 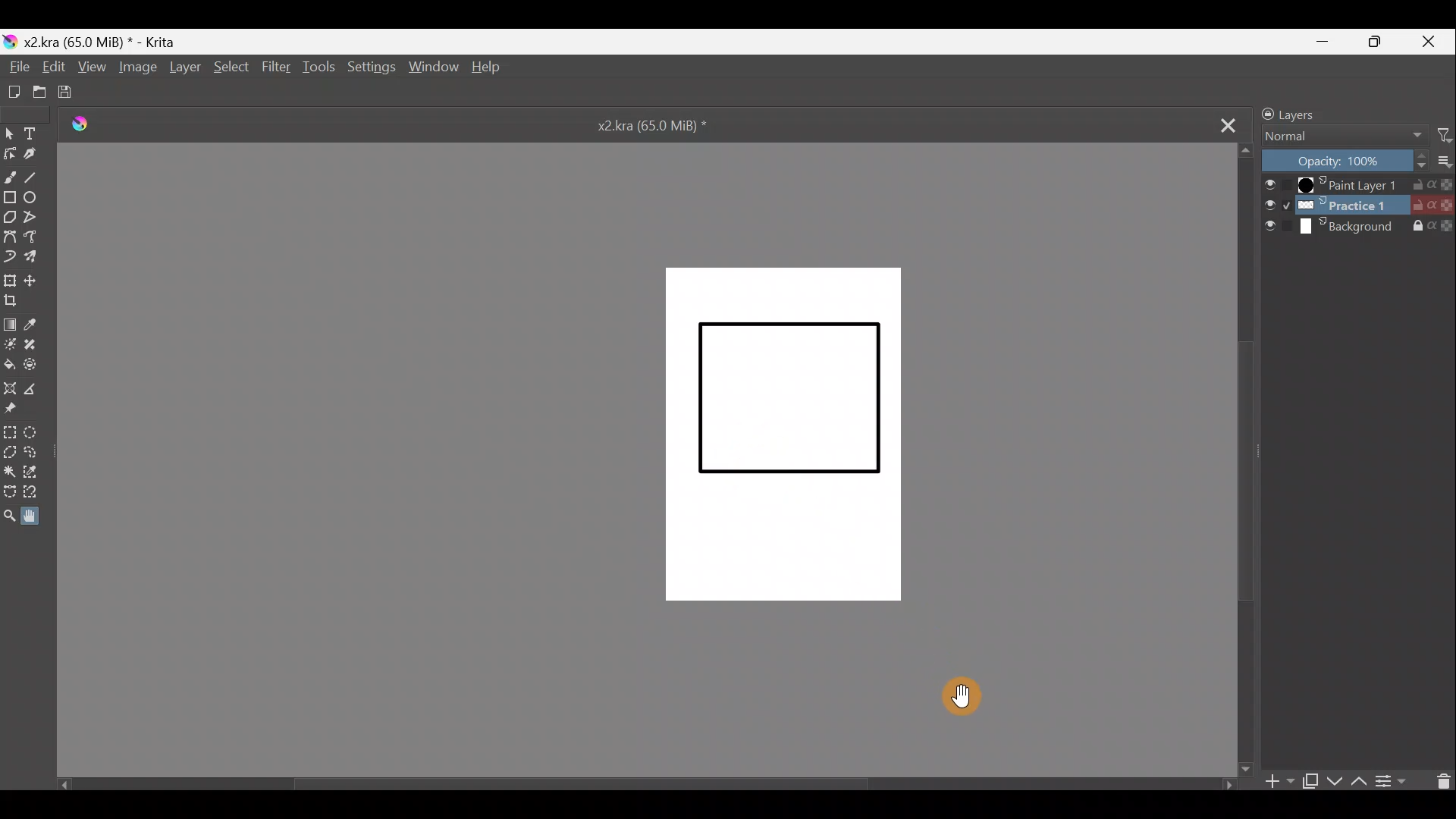 What do you see at coordinates (370, 68) in the screenshot?
I see `Settings` at bounding box center [370, 68].